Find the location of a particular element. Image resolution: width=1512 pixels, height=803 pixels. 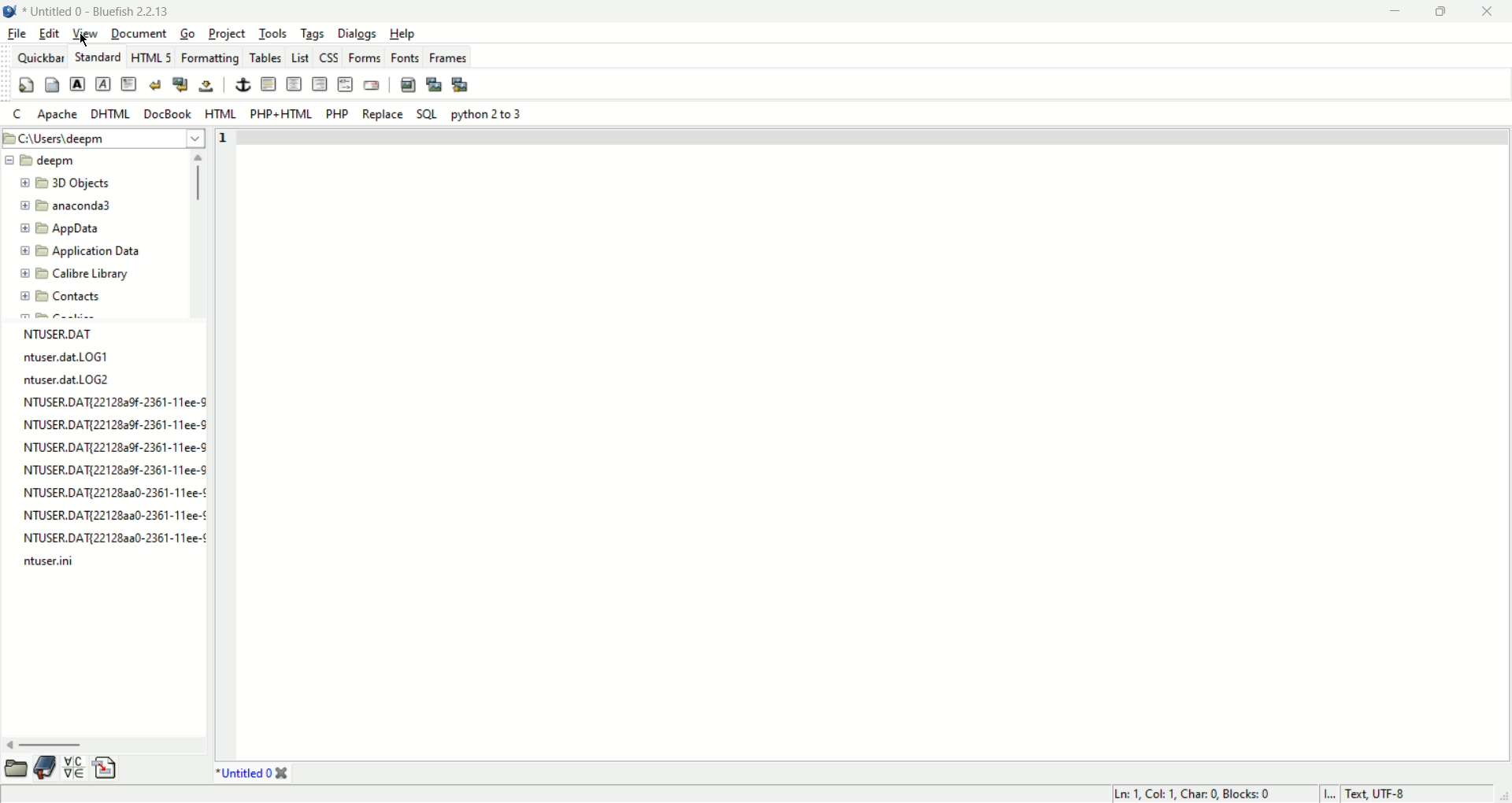

document is located at coordinates (139, 33).